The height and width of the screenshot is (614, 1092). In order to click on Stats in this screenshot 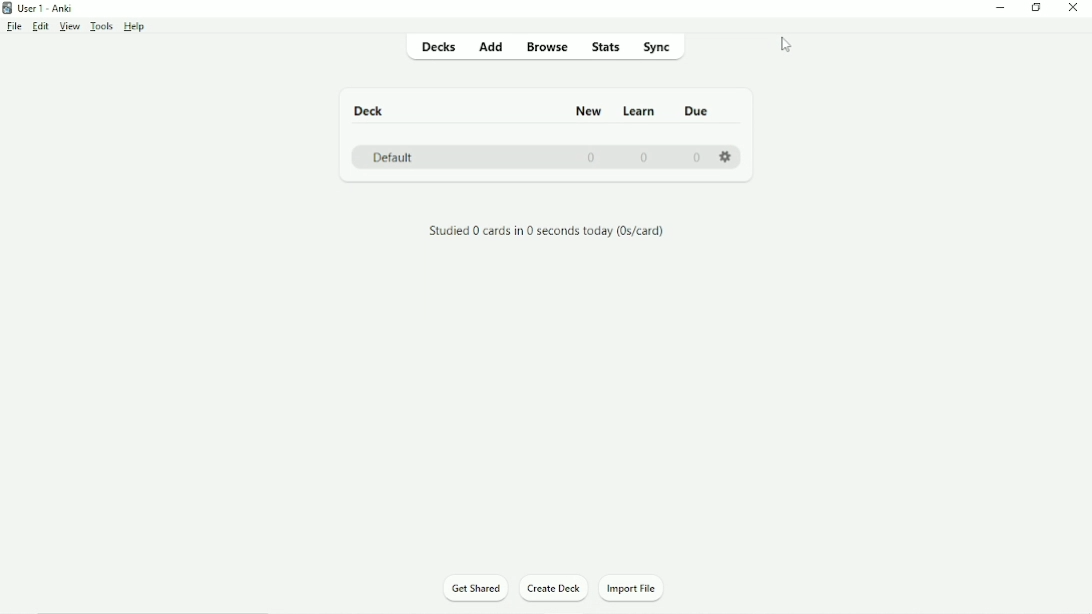, I will do `click(606, 48)`.